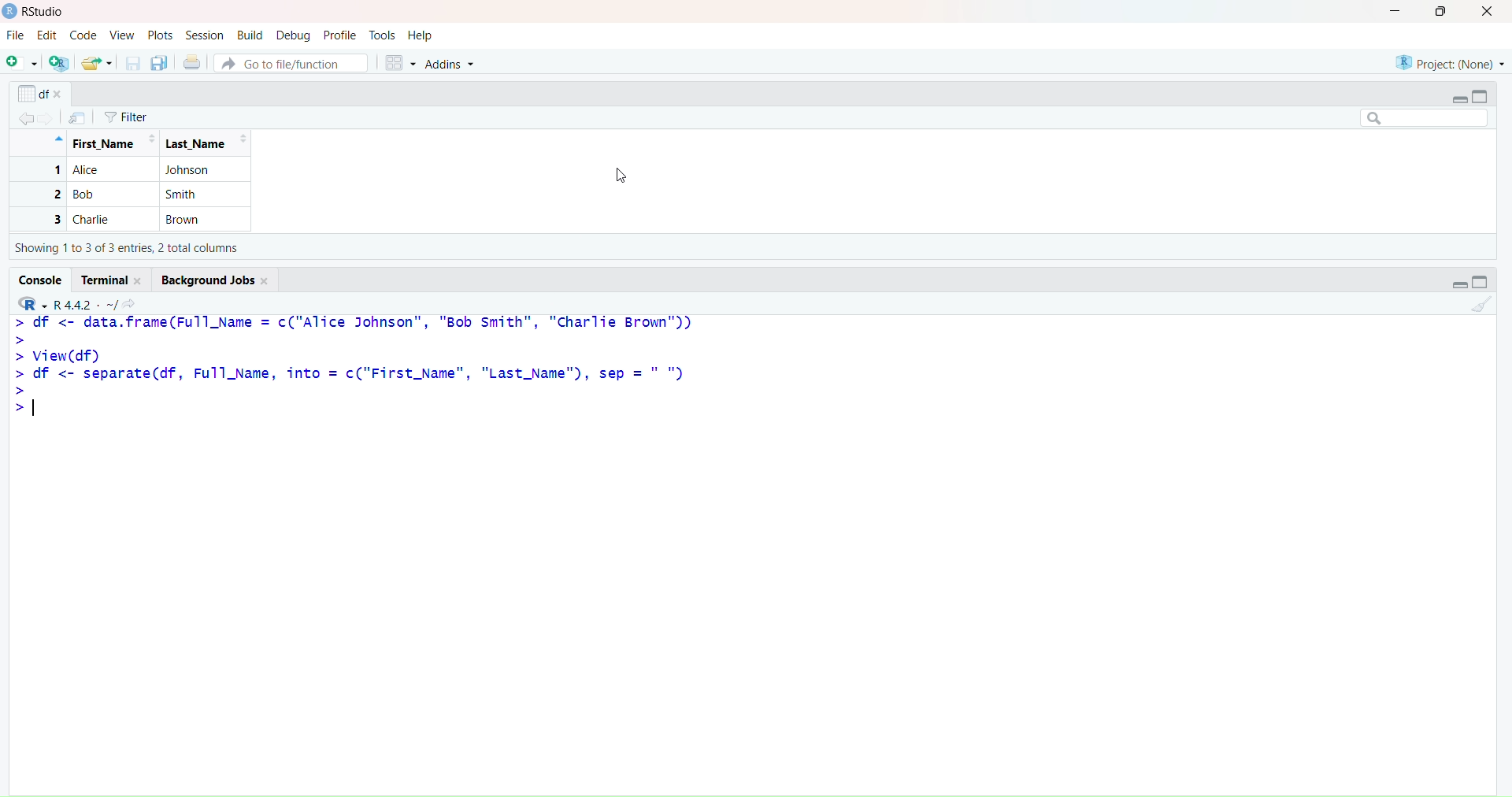 The image size is (1512, 797). I want to click on Workspace panes, so click(400, 63).